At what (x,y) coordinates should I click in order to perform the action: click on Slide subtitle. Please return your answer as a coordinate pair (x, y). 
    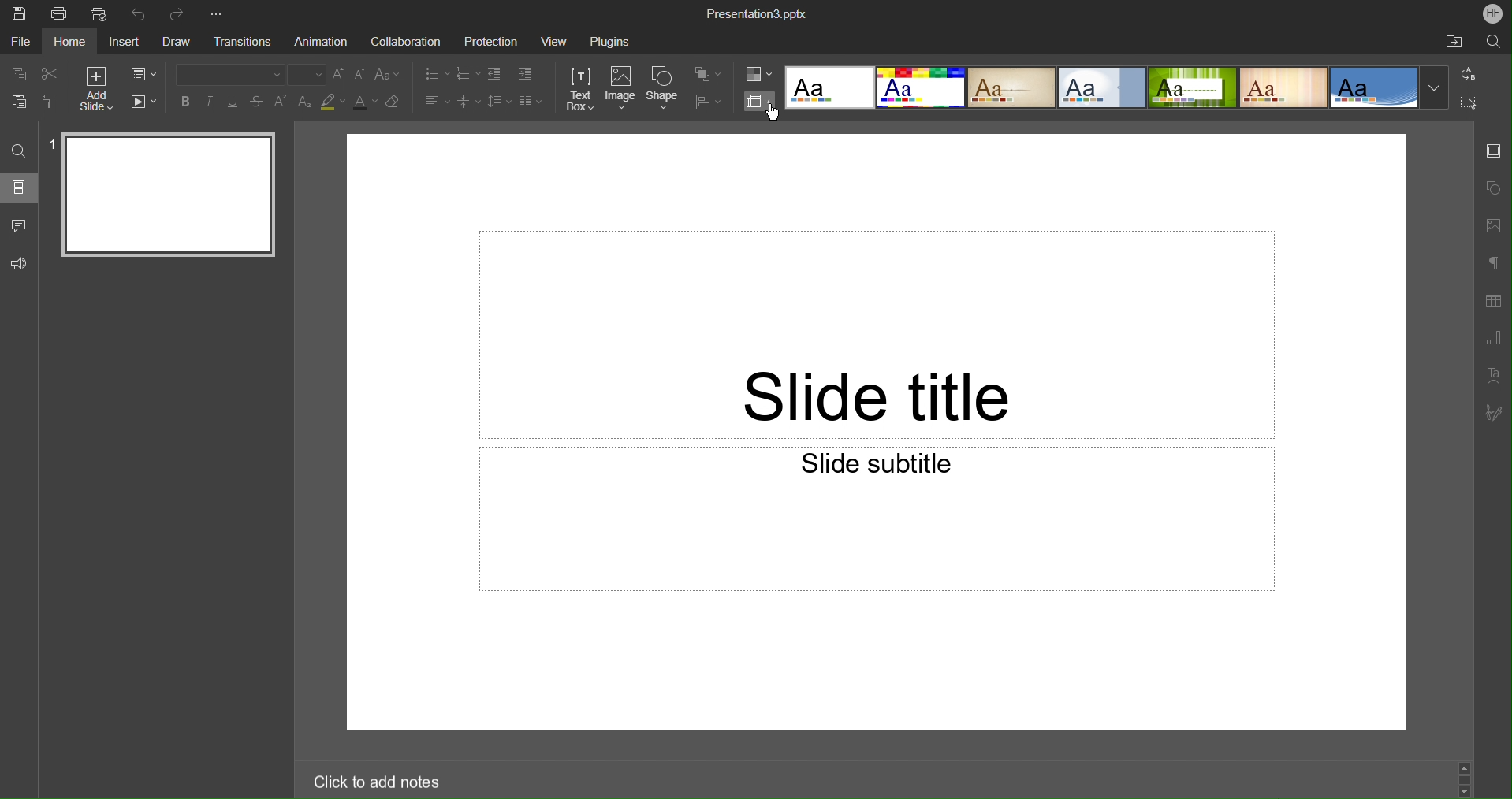
    Looking at the image, I should click on (877, 518).